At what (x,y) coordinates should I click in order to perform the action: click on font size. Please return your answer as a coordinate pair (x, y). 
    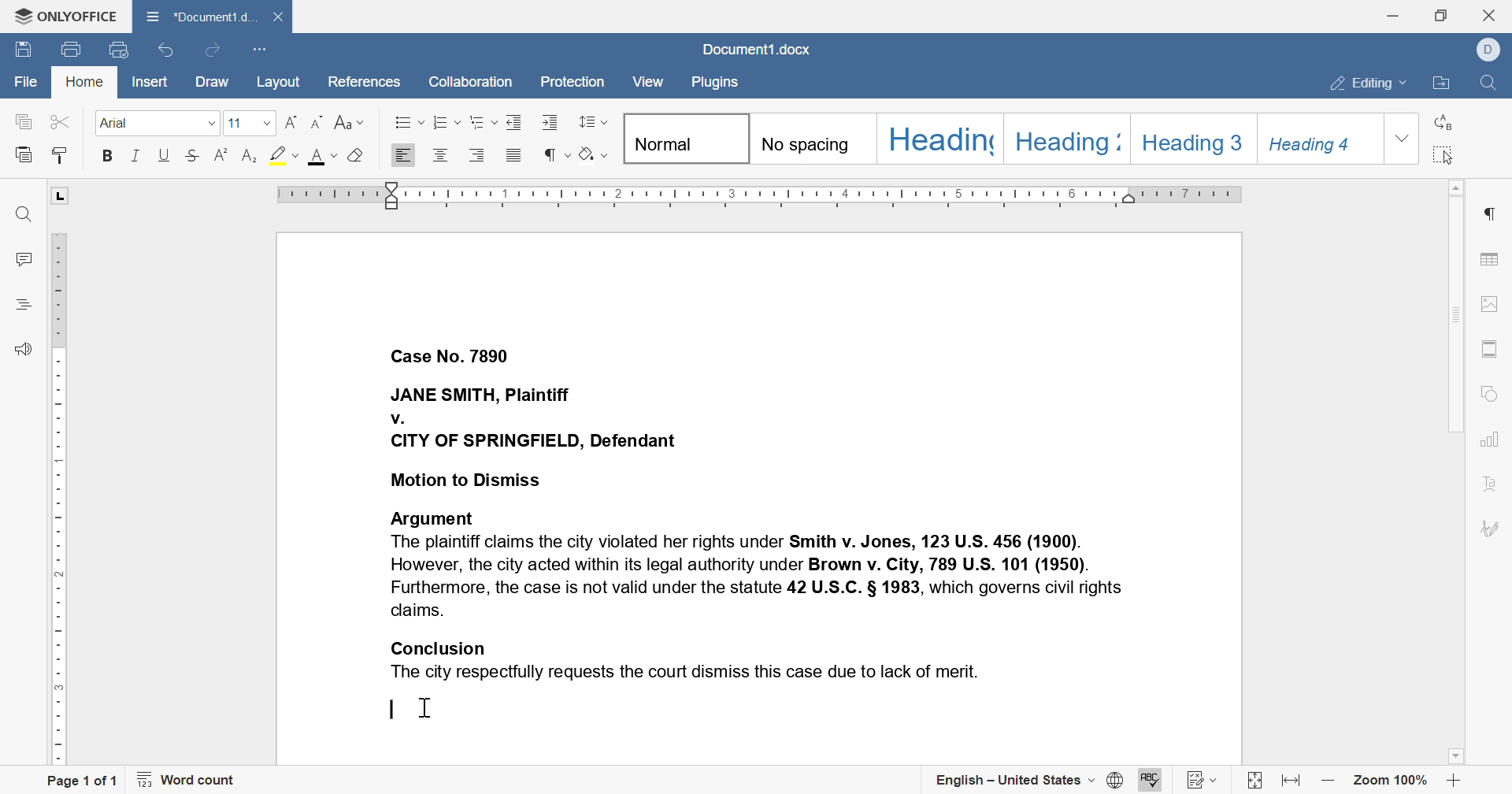
    Looking at the image, I should click on (247, 121).